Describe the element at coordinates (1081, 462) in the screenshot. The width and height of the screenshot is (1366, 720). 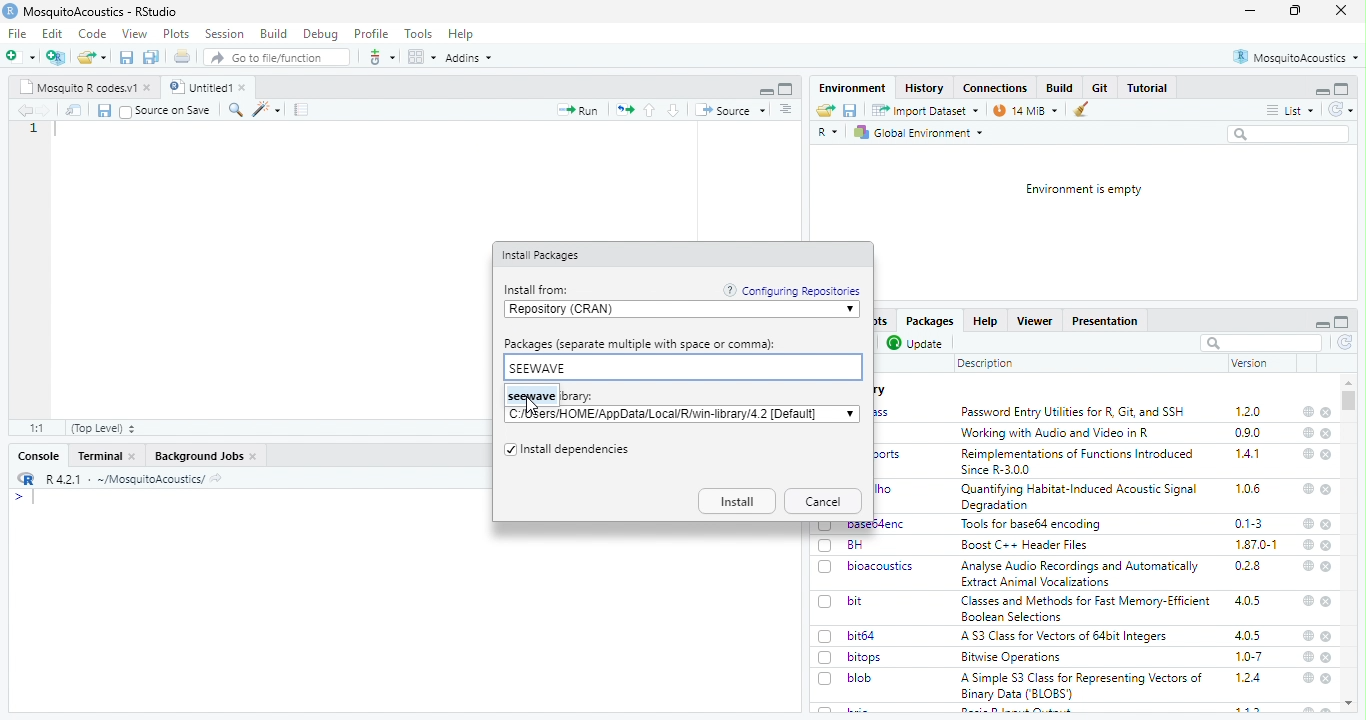
I see `Reimplementations of Functions Introduced
Since R-3.0.0` at that location.